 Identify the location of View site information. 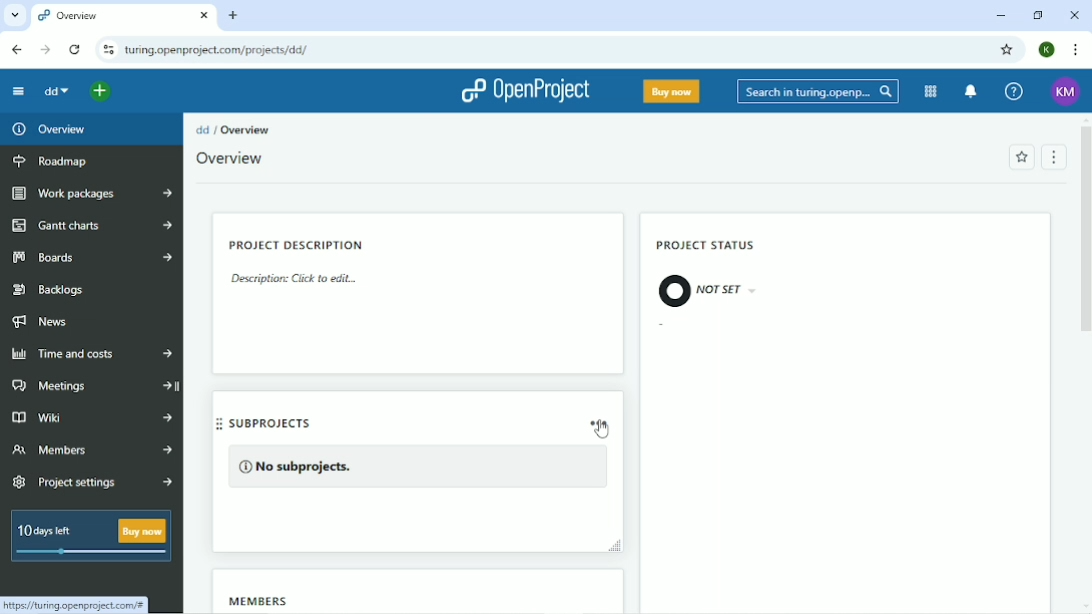
(107, 50).